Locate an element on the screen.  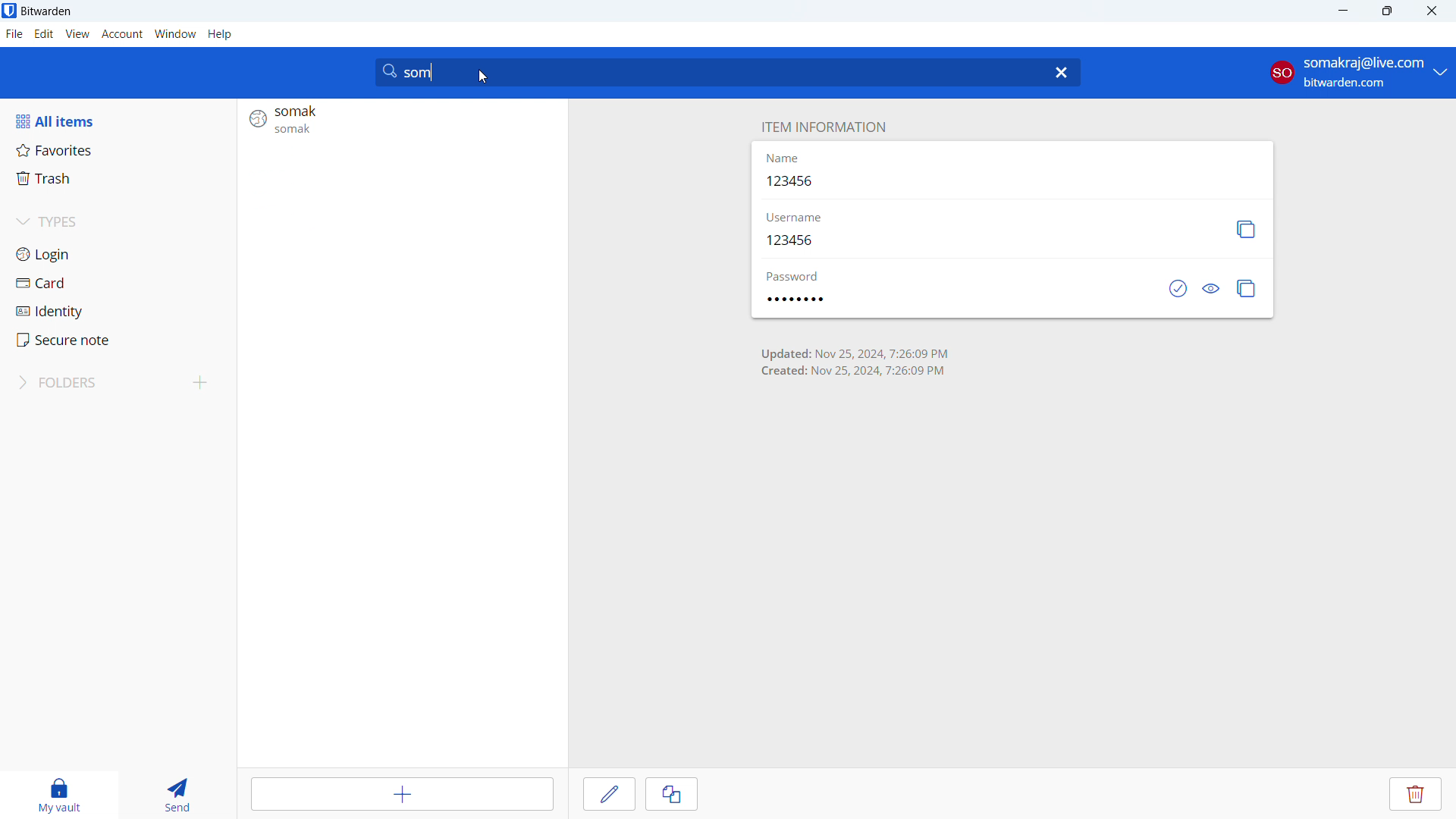
check if password has been exposed is located at coordinates (1180, 289).